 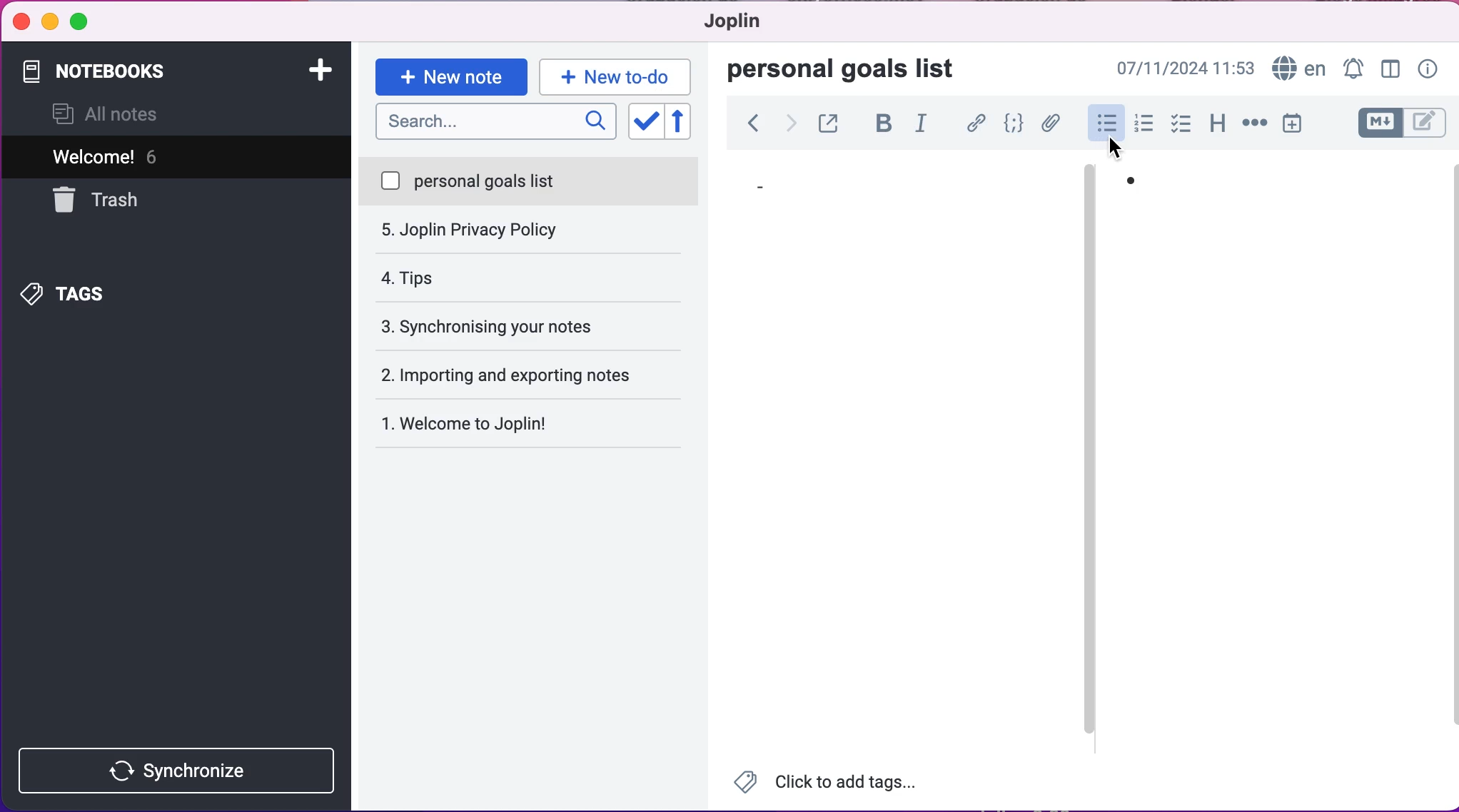 What do you see at coordinates (1148, 181) in the screenshot?
I see `bullet 1` at bounding box center [1148, 181].